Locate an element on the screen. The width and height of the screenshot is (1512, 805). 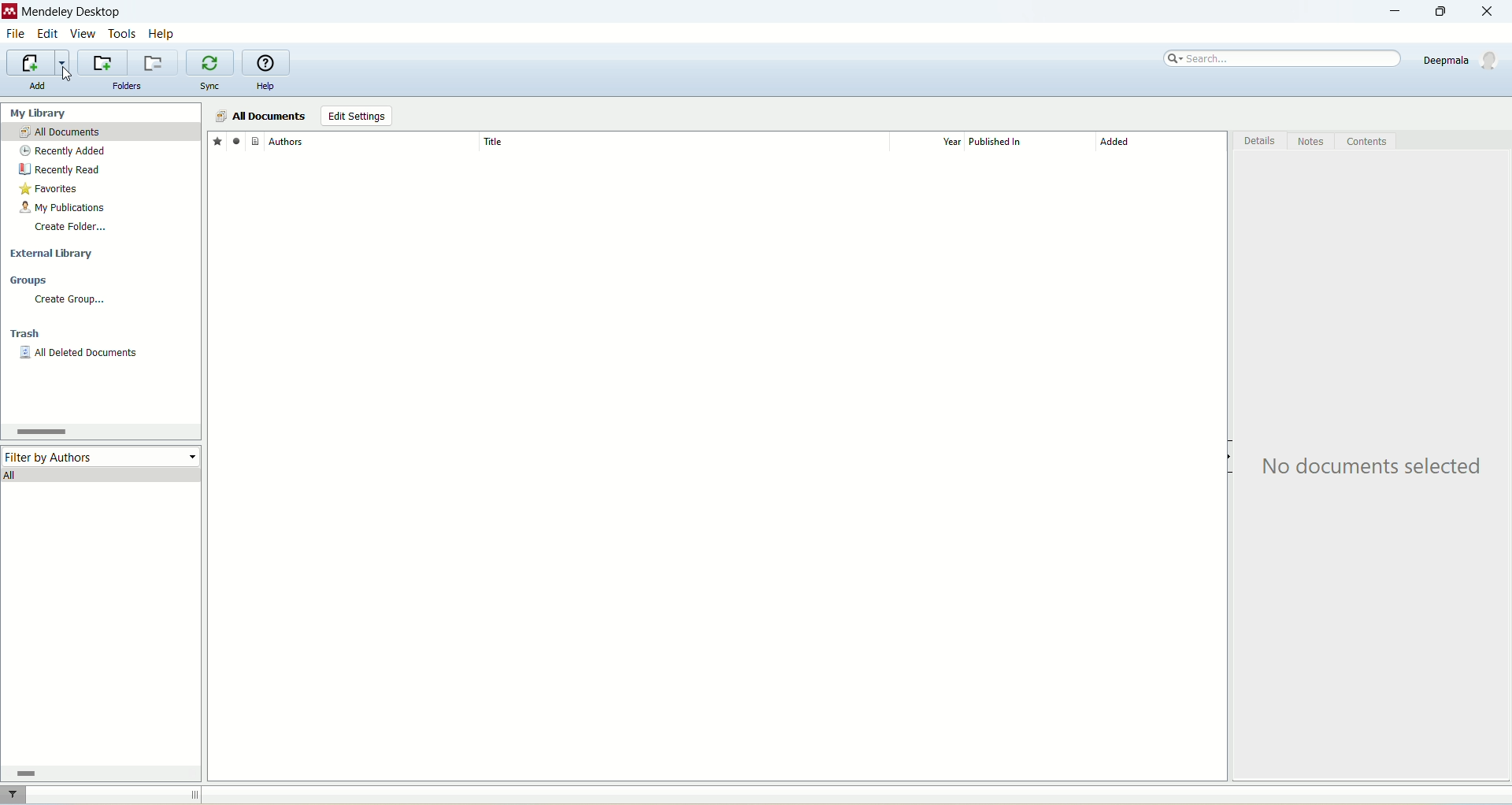
create a new folder is located at coordinates (102, 63).